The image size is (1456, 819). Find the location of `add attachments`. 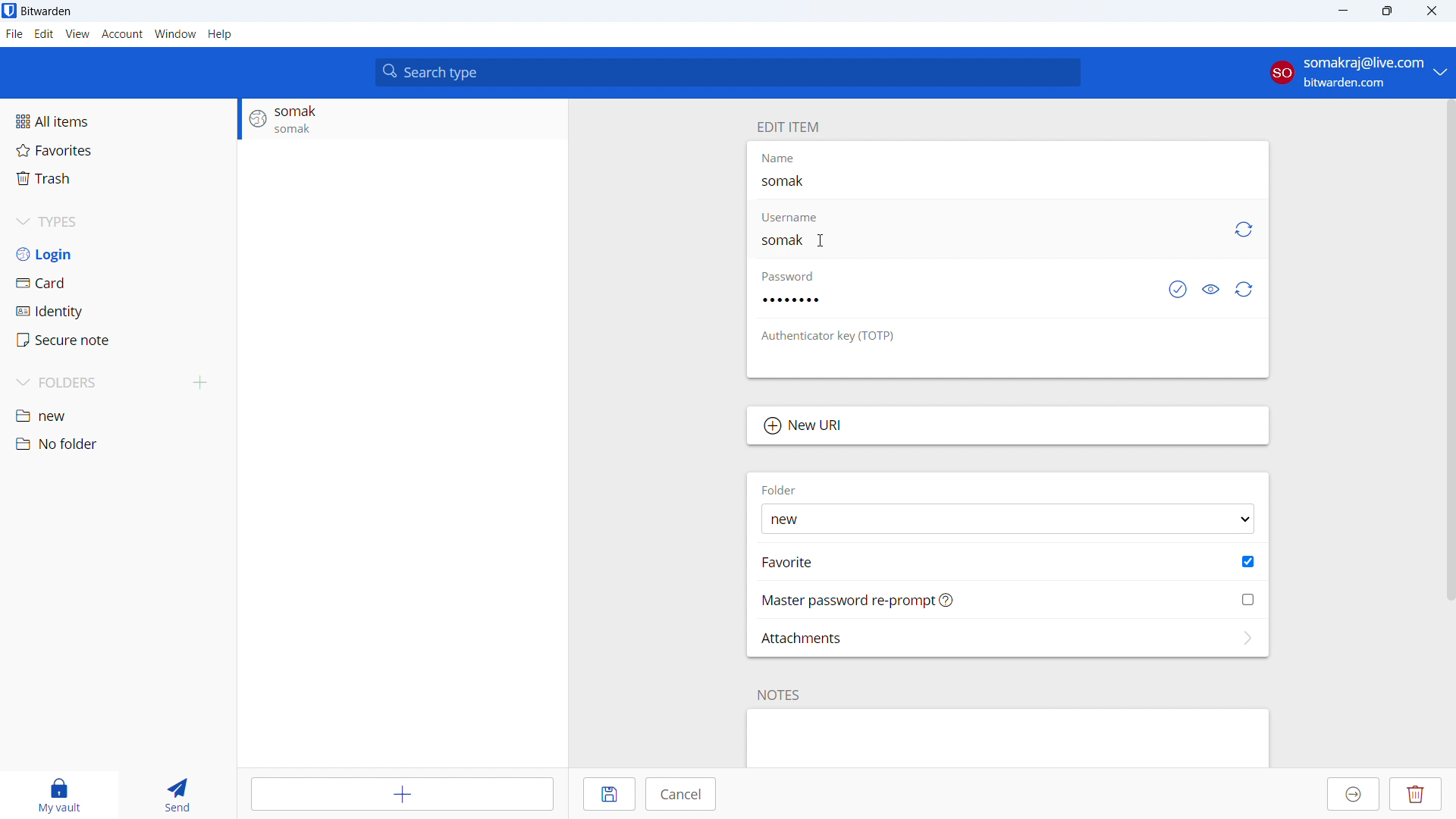

add attachments is located at coordinates (1008, 638).